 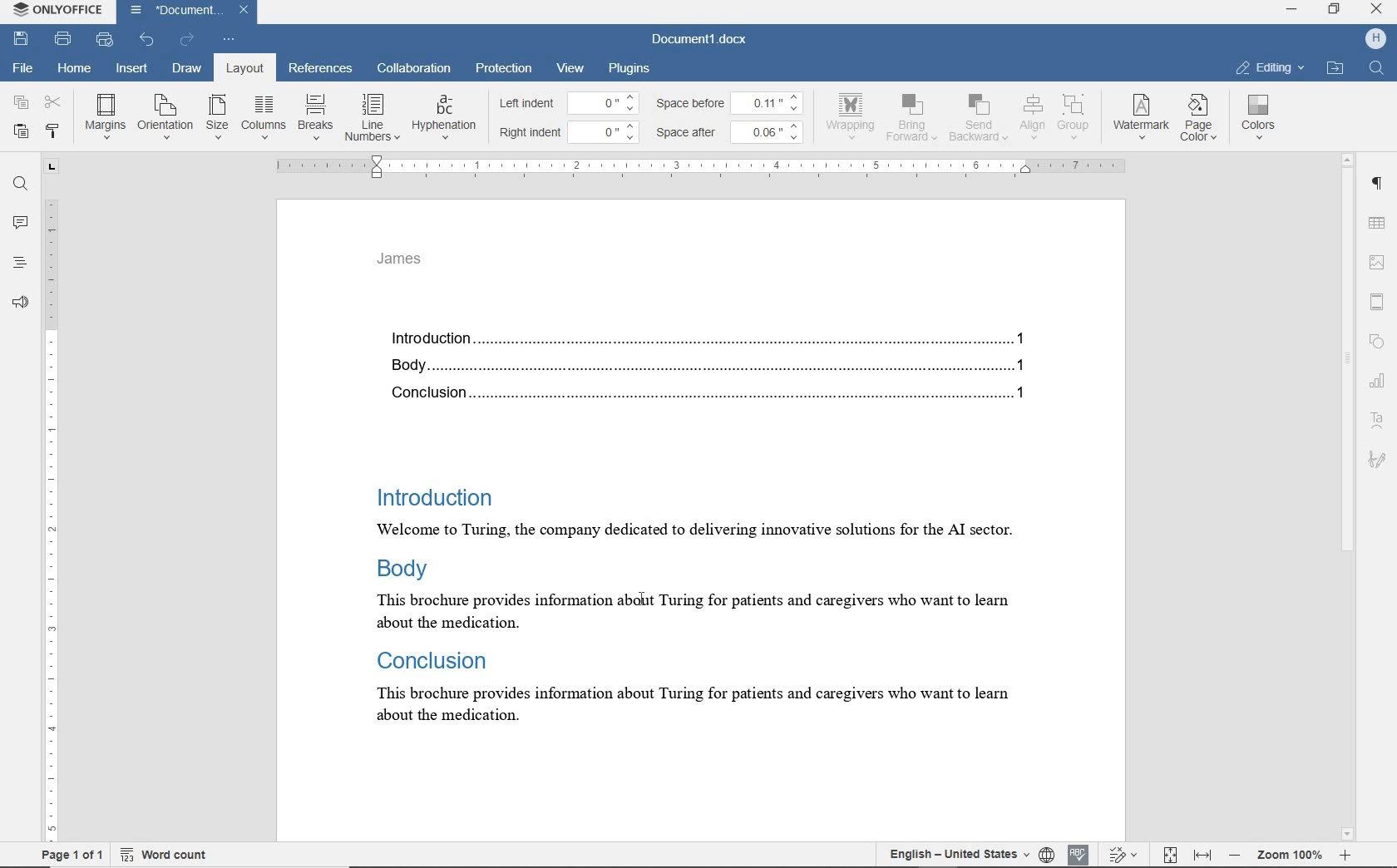 What do you see at coordinates (1379, 67) in the screenshot?
I see `FIND` at bounding box center [1379, 67].